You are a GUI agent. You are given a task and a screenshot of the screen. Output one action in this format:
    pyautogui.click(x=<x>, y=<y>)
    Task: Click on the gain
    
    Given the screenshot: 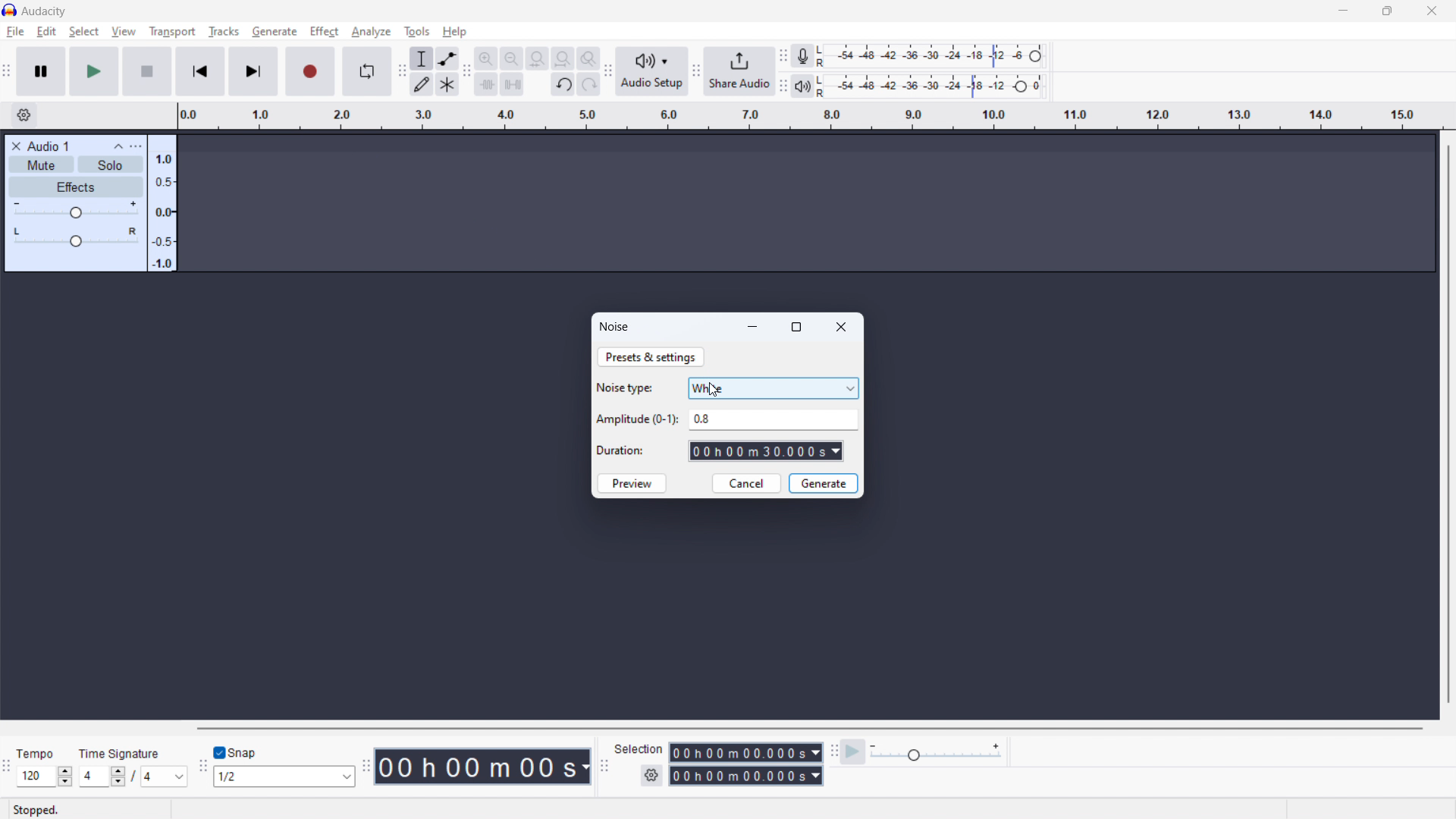 What is the action you would take?
    pyautogui.click(x=75, y=210)
    